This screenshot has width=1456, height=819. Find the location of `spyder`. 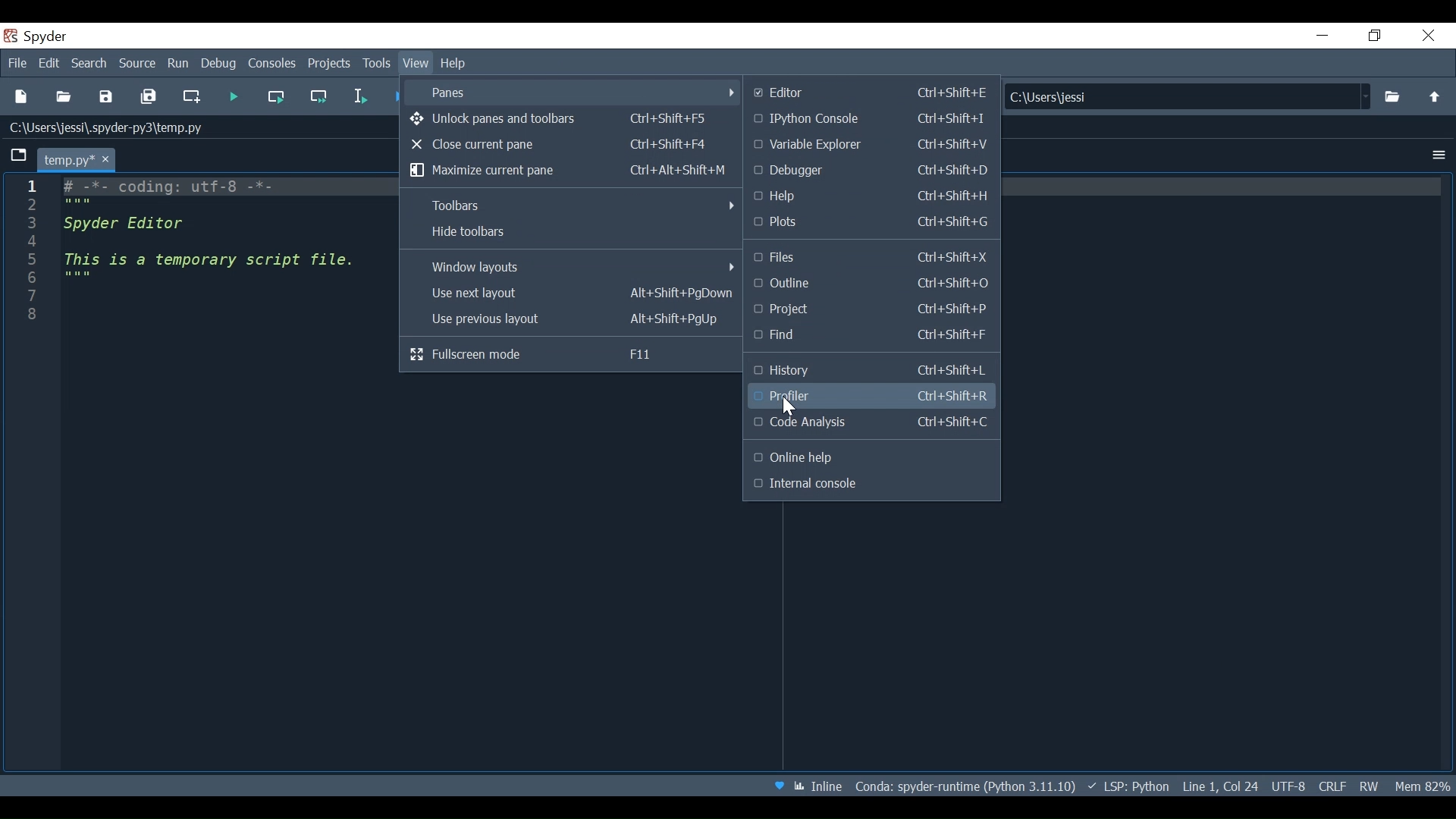

spyder is located at coordinates (47, 36).